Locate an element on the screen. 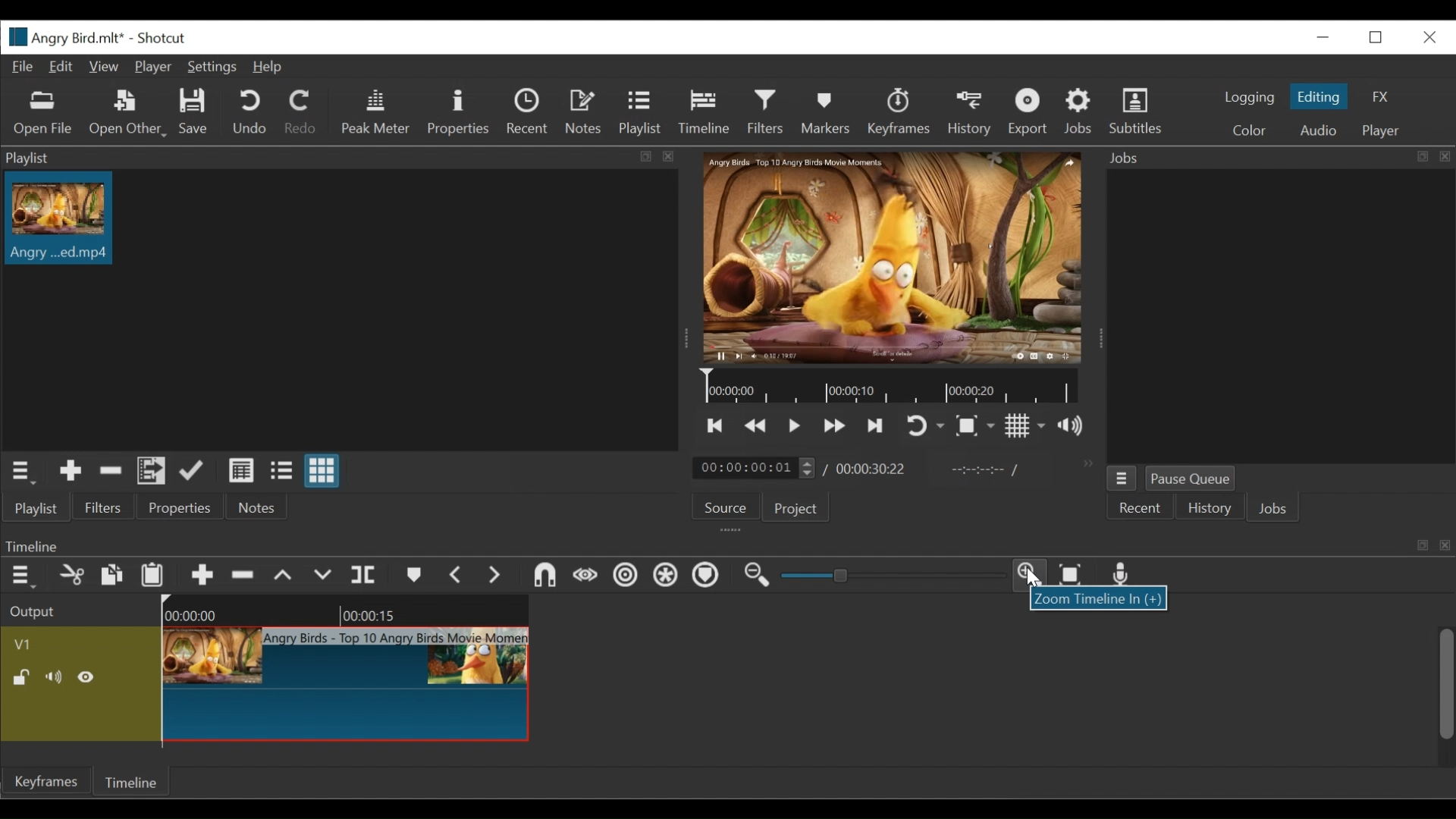 The height and width of the screenshot is (819, 1456). Timeline menu is located at coordinates (24, 576).